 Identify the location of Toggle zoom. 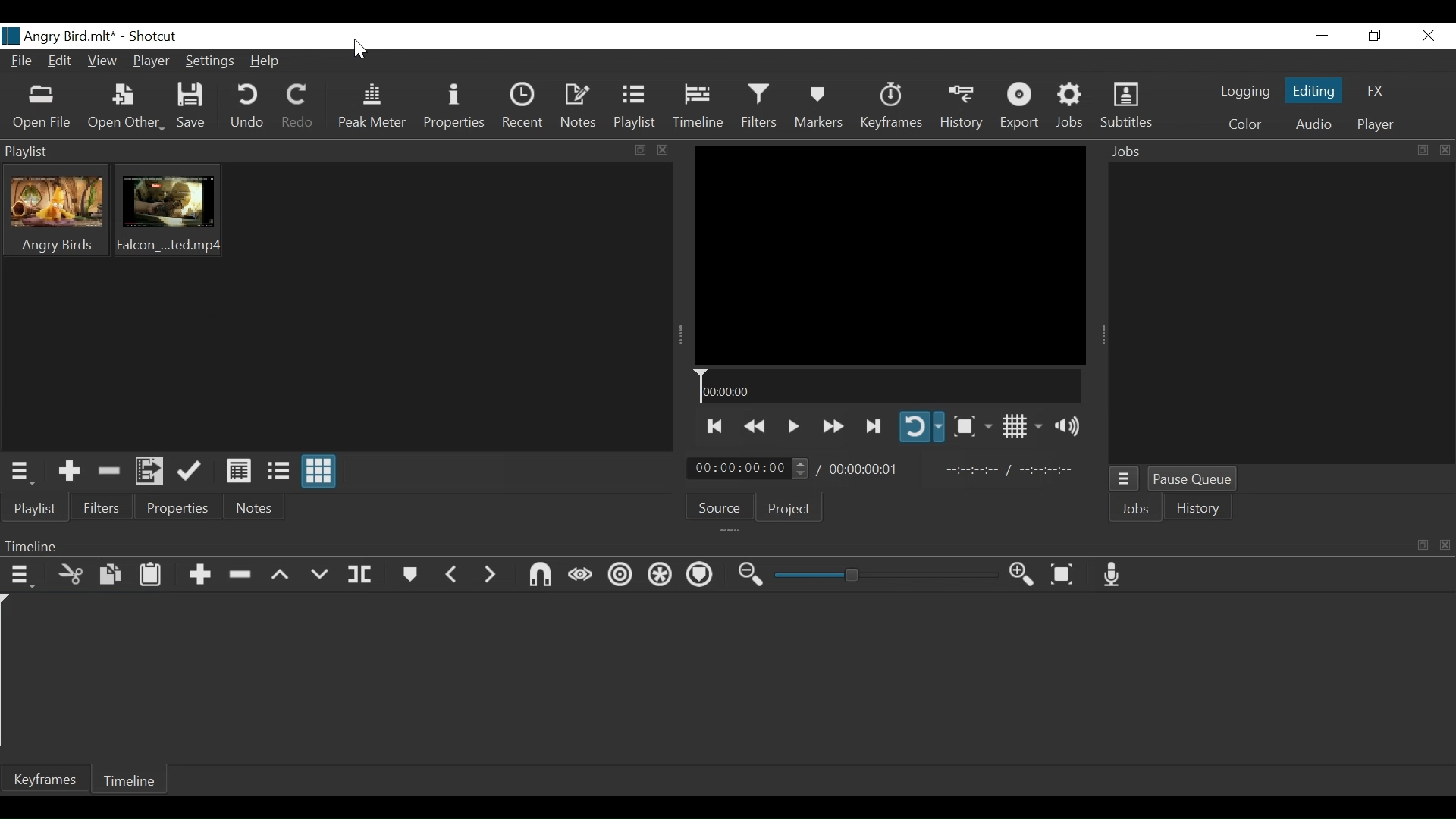
(973, 427).